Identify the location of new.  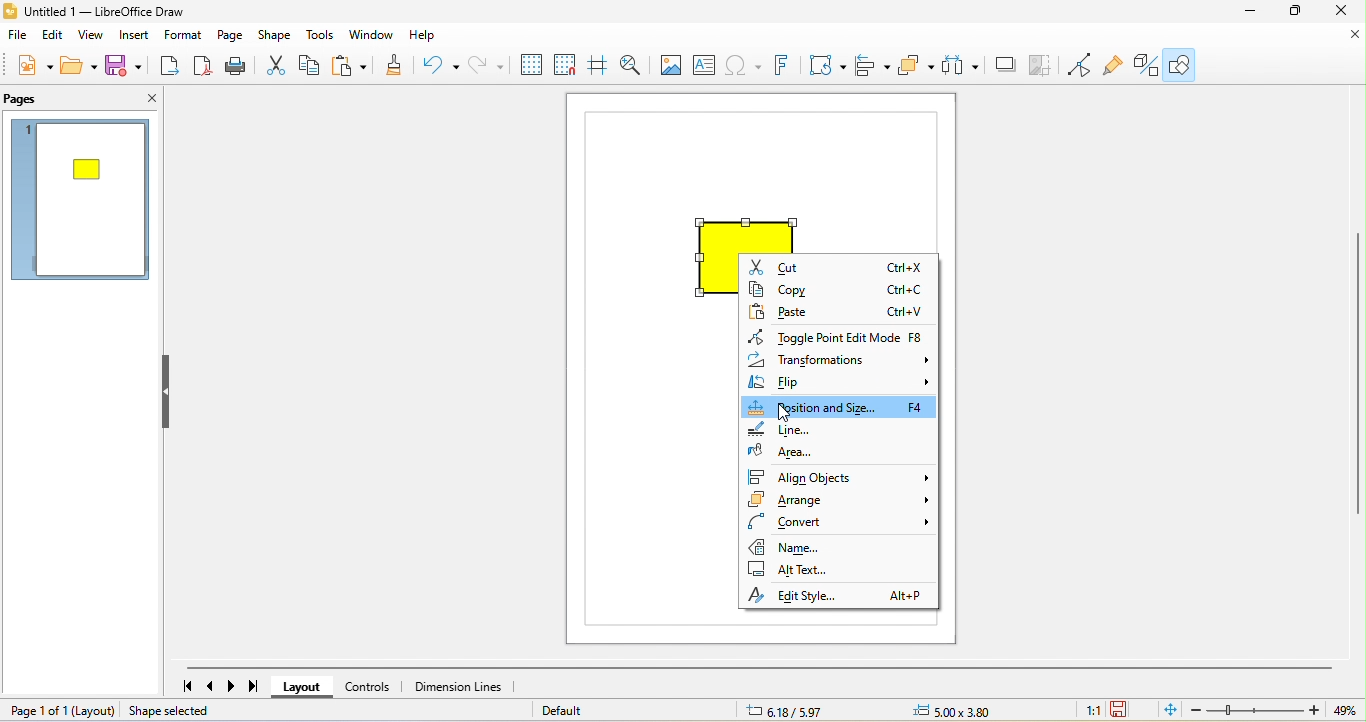
(28, 67).